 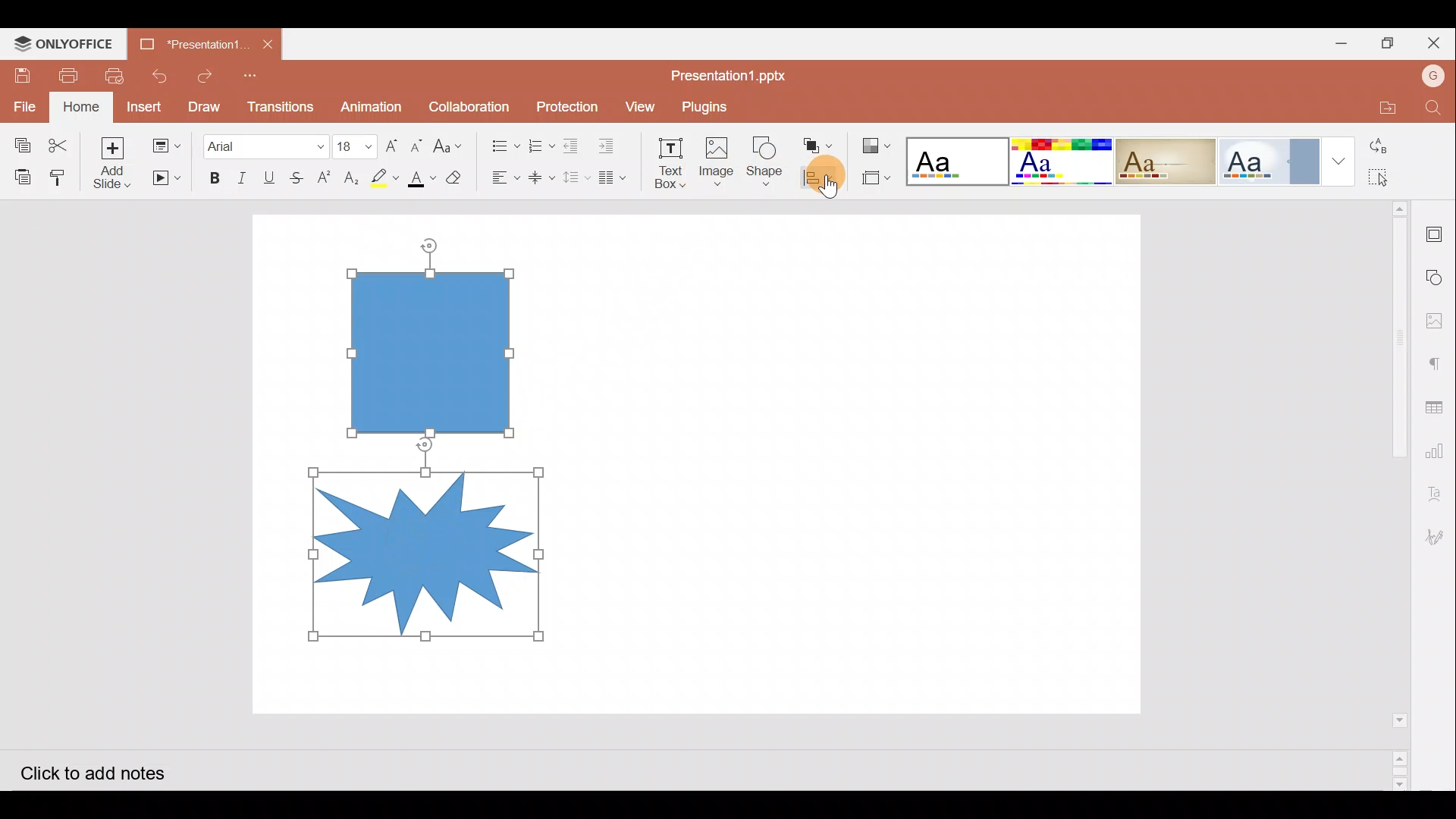 What do you see at coordinates (350, 174) in the screenshot?
I see `Subscript` at bounding box center [350, 174].